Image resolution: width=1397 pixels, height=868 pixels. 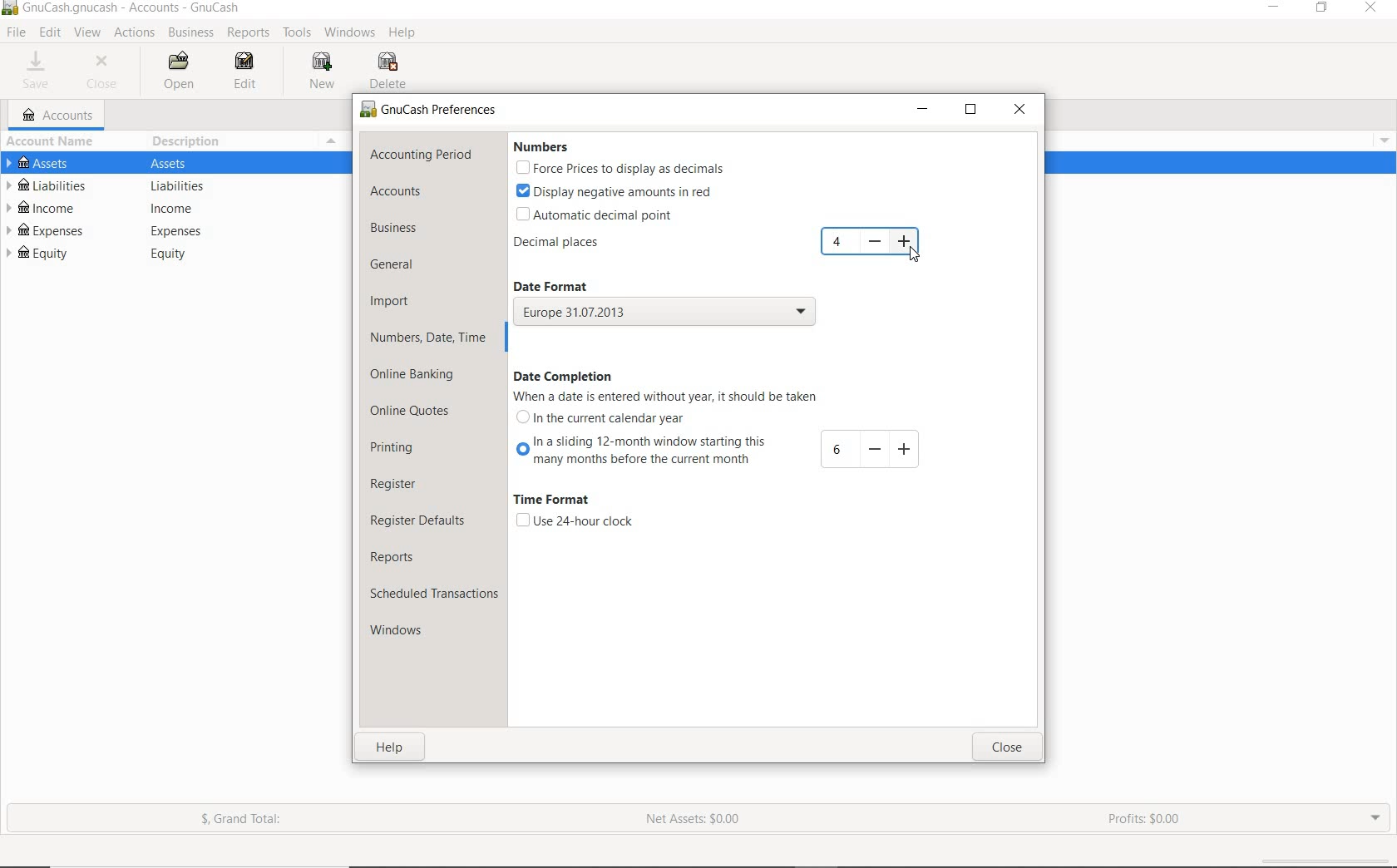 What do you see at coordinates (604, 214) in the screenshot?
I see `automatic decimal point` at bounding box center [604, 214].